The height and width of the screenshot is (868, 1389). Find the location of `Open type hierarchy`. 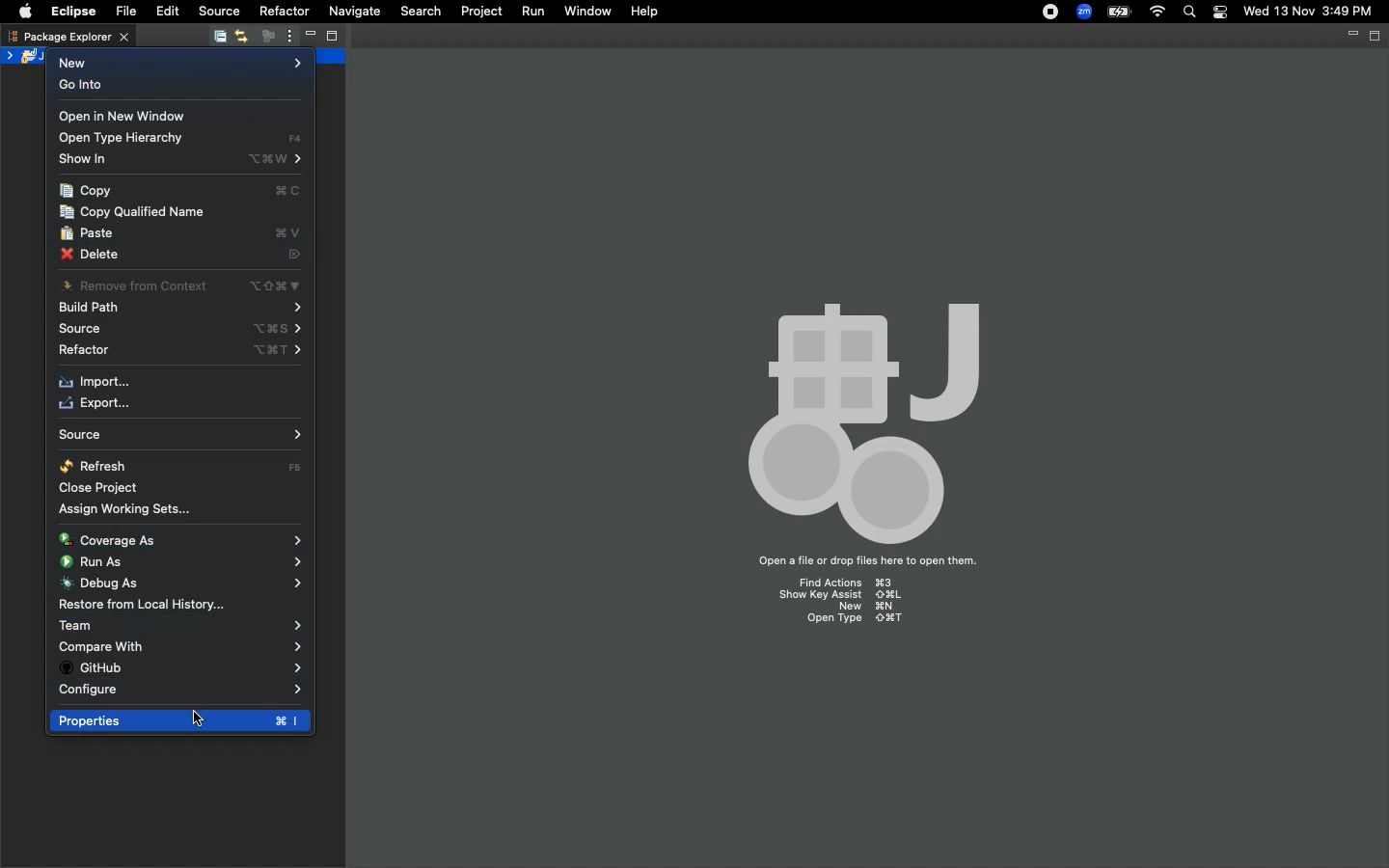

Open type hierarchy is located at coordinates (179, 139).